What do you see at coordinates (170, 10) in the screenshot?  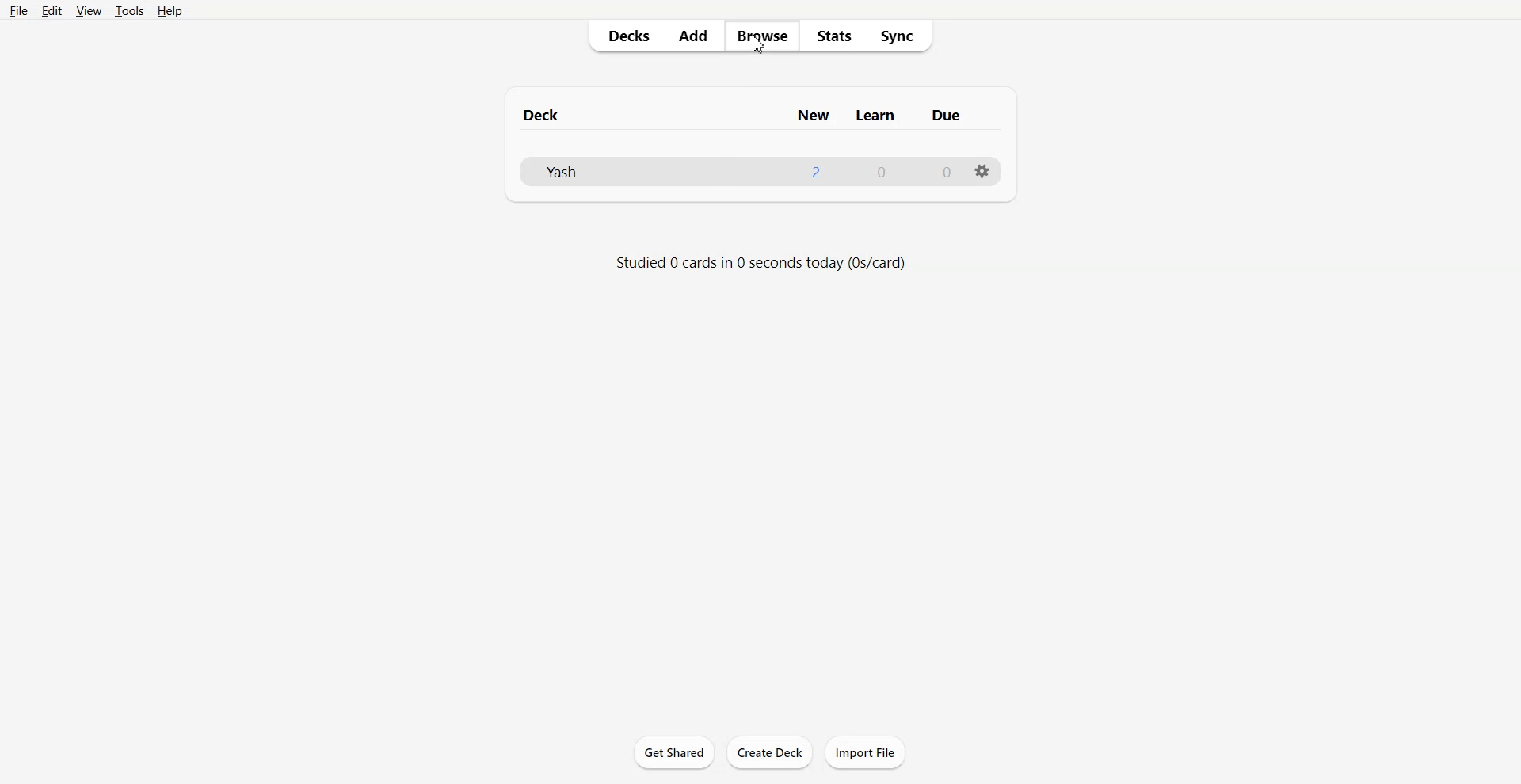 I see `Help` at bounding box center [170, 10].